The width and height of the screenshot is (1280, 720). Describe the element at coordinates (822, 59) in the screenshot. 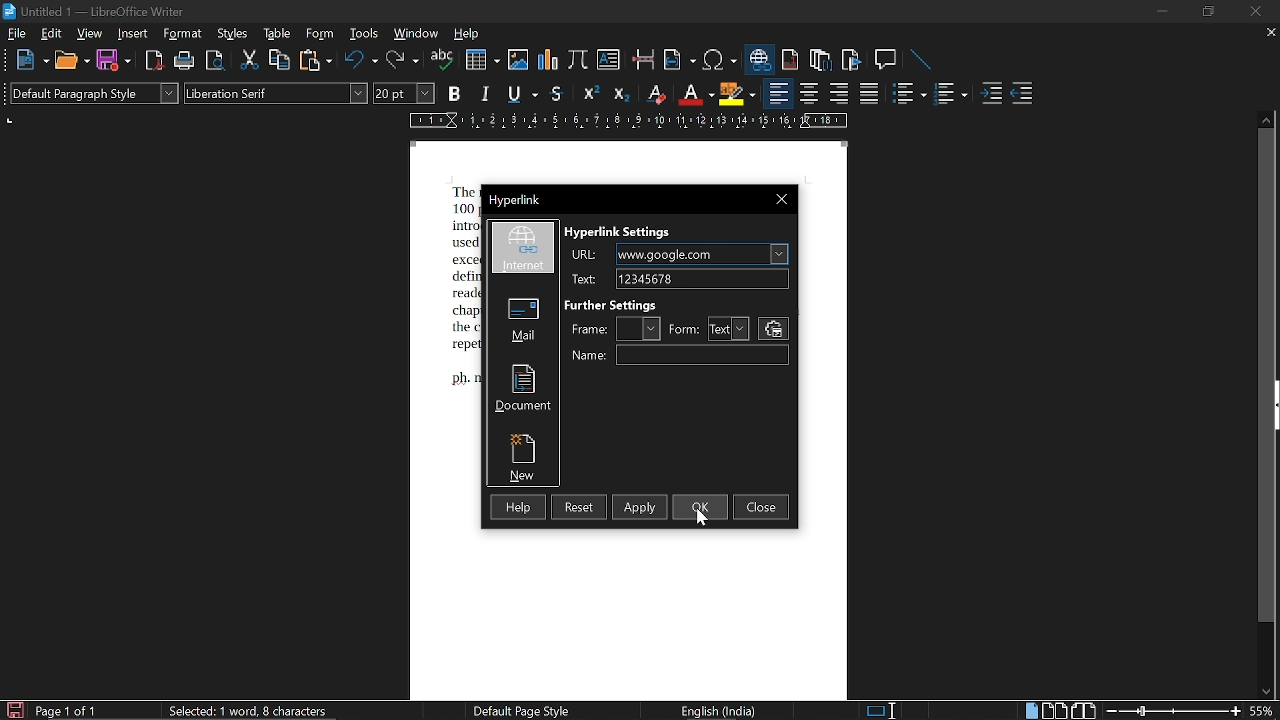

I see `insert endnote` at that location.